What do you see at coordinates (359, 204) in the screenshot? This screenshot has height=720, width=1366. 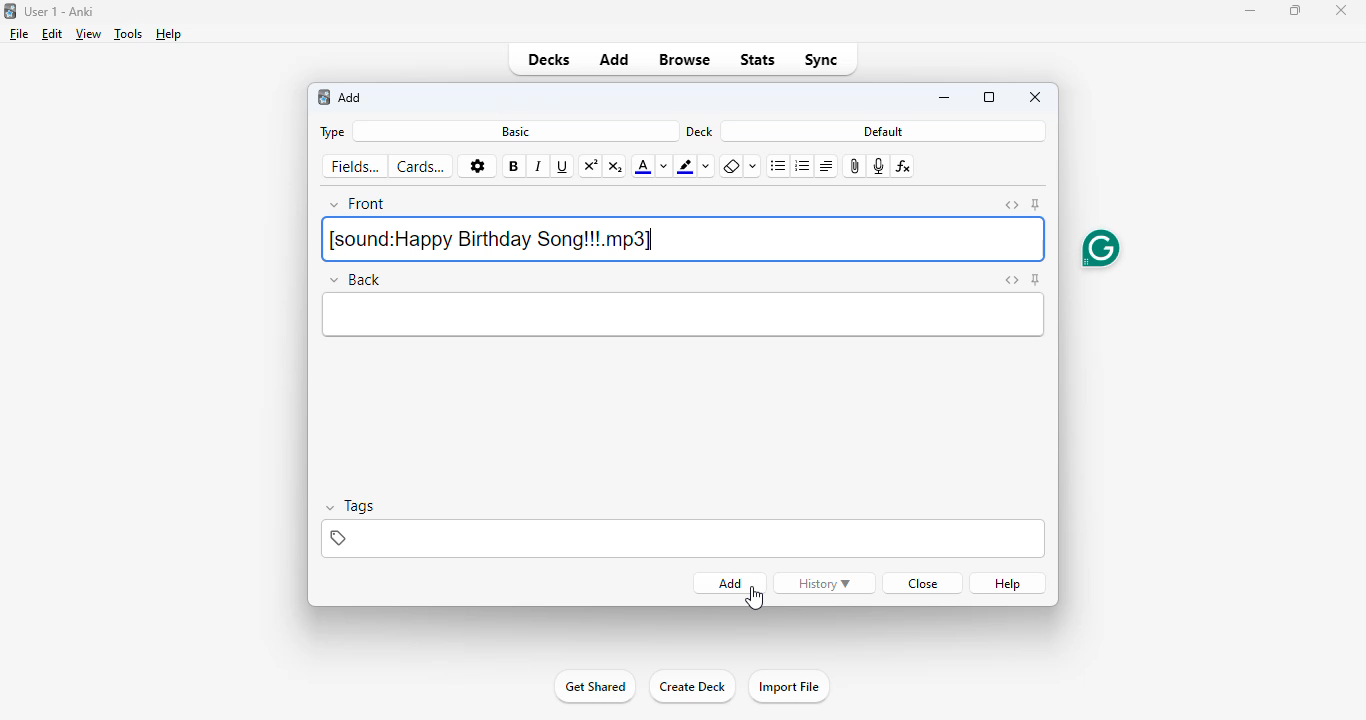 I see `front` at bounding box center [359, 204].